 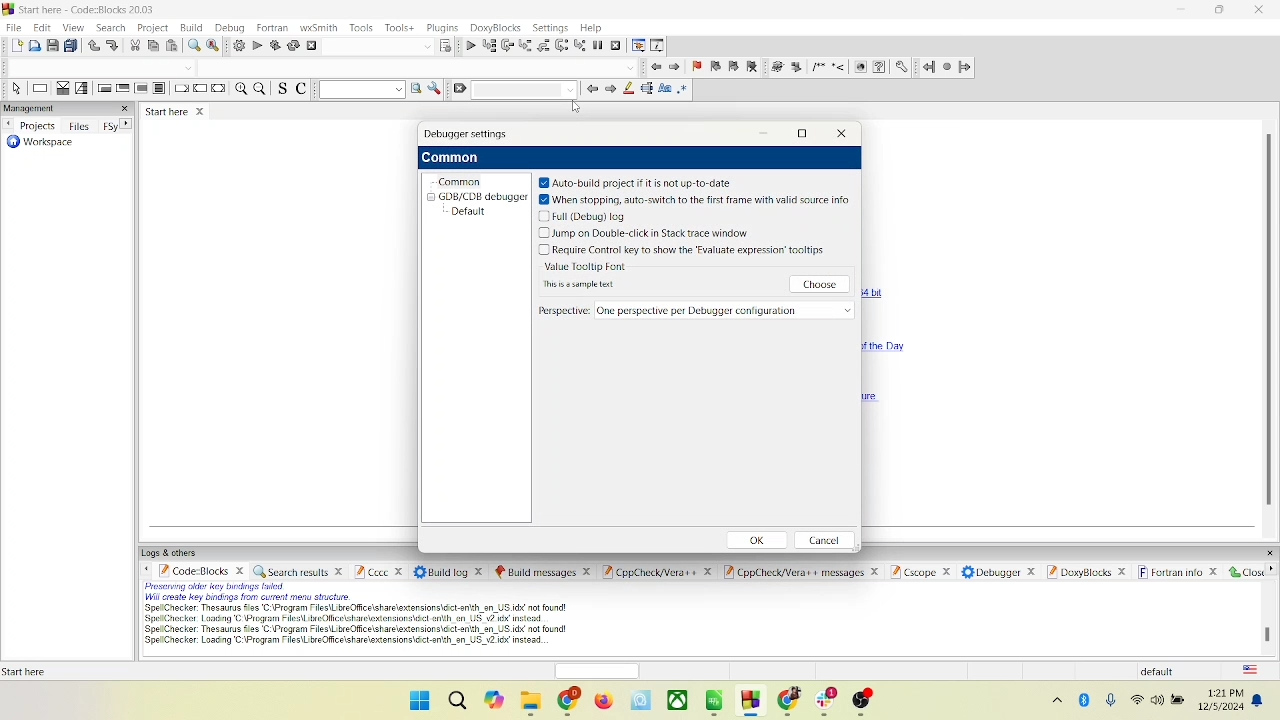 I want to click on undo, so click(x=93, y=46).